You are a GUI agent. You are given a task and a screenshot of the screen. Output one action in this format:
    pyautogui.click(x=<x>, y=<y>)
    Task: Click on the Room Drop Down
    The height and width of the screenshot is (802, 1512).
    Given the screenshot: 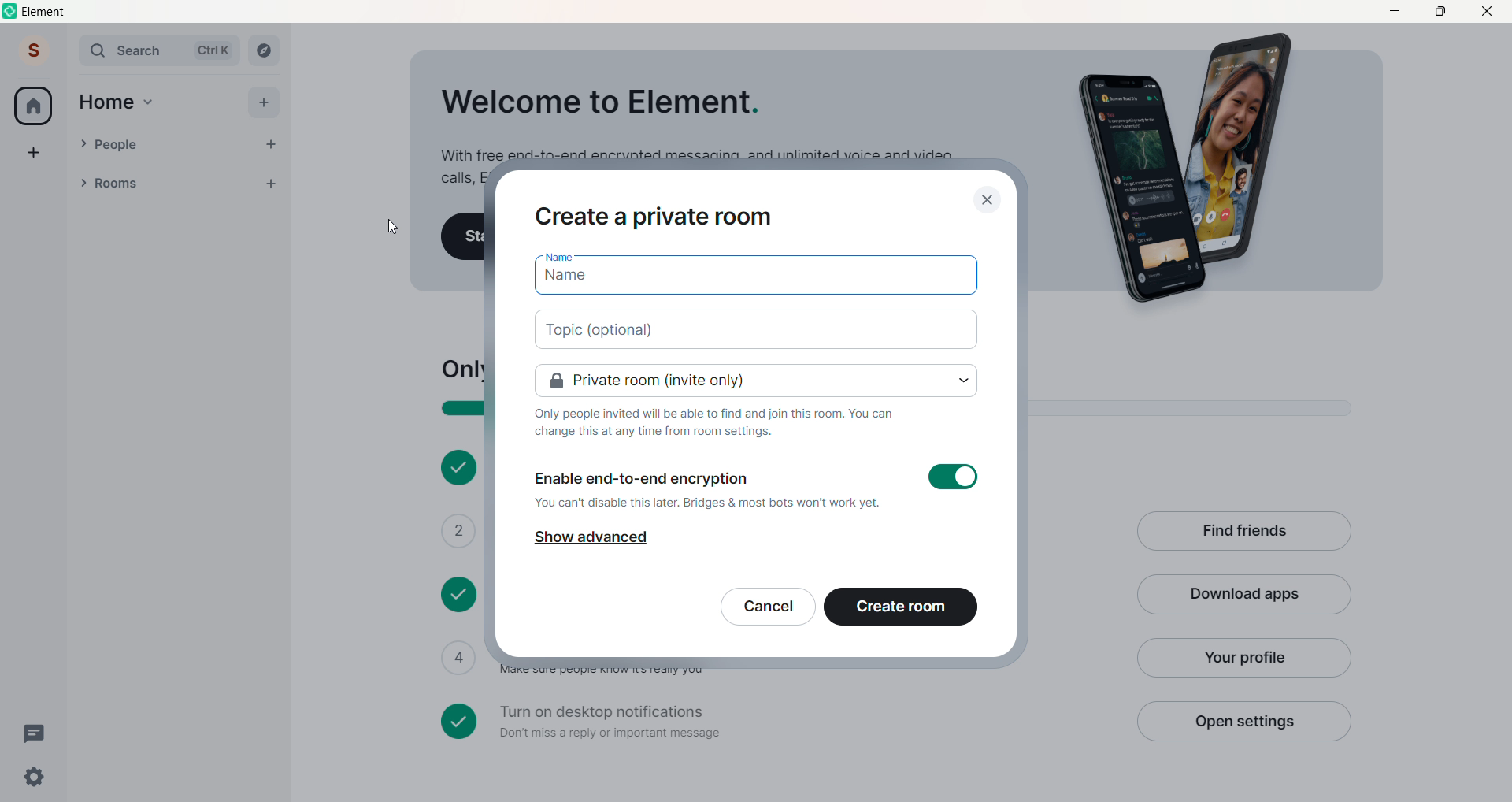 What is the action you would take?
    pyautogui.click(x=83, y=183)
    